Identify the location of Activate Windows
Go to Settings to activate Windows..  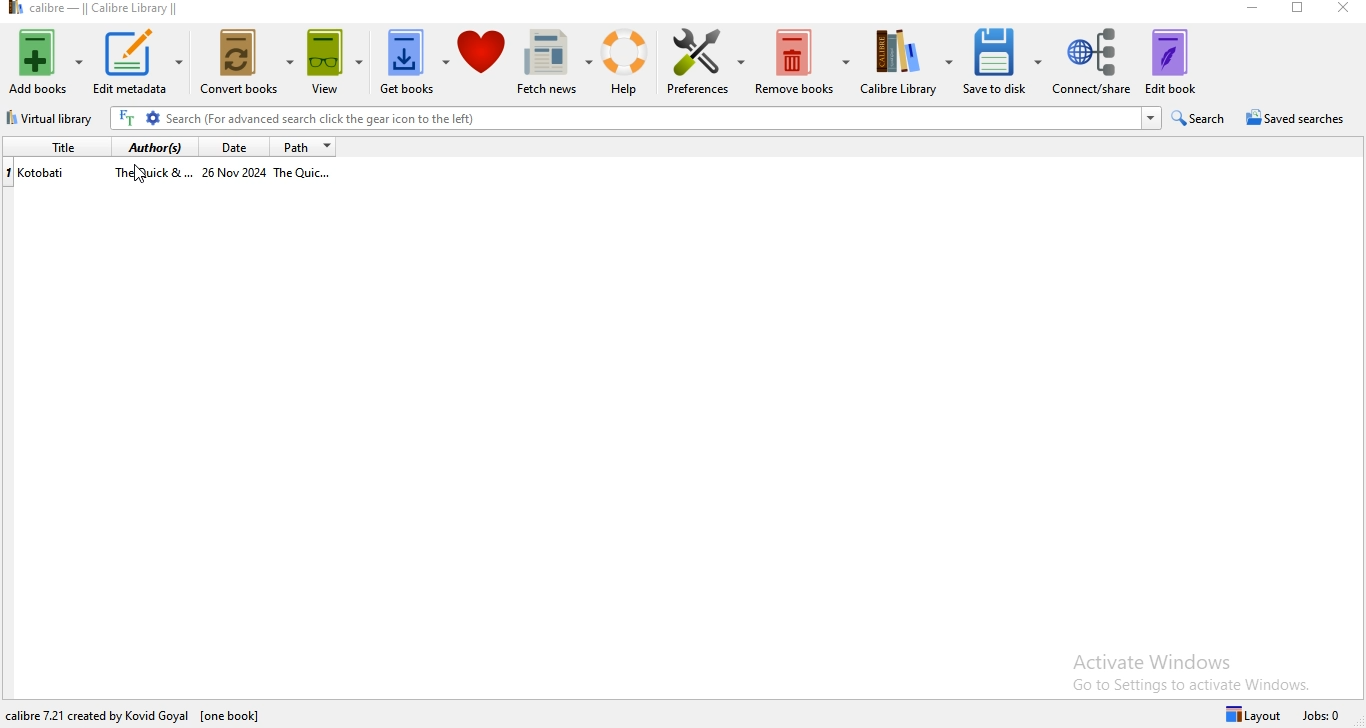
(1192, 669).